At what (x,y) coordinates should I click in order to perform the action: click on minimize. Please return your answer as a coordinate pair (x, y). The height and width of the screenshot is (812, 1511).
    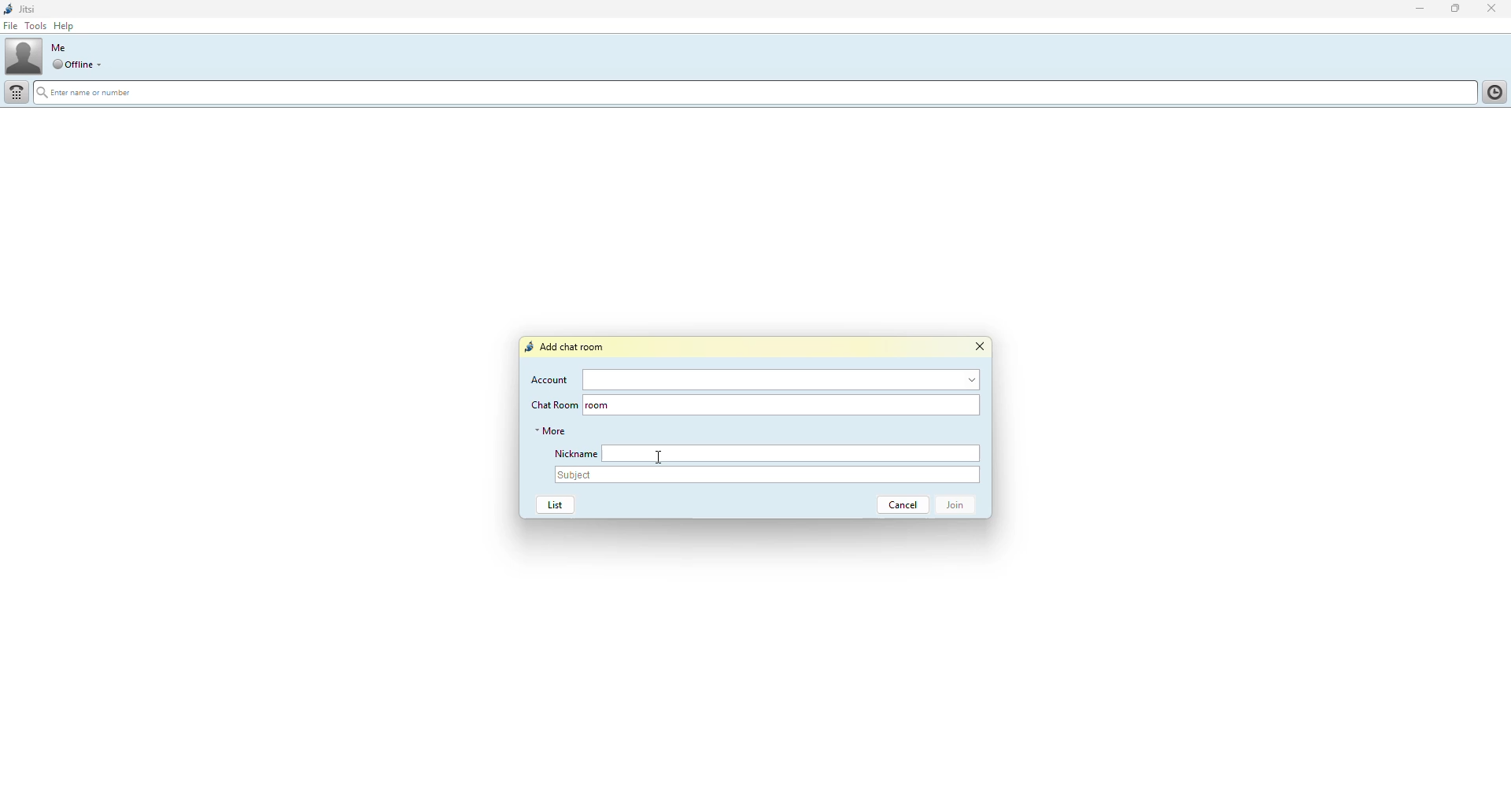
    Looking at the image, I should click on (1413, 9).